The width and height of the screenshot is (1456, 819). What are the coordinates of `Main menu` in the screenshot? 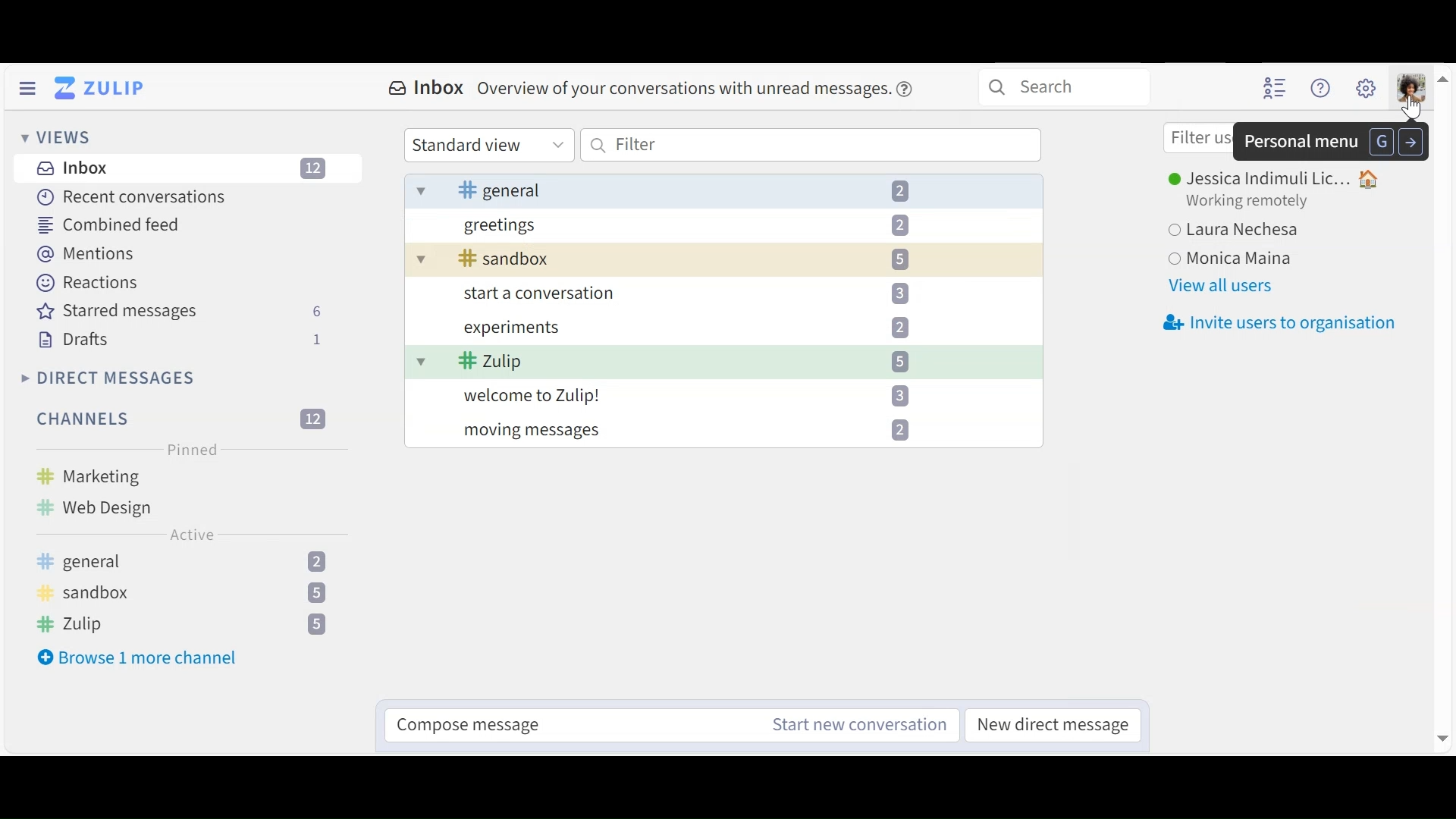 It's located at (1366, 89).